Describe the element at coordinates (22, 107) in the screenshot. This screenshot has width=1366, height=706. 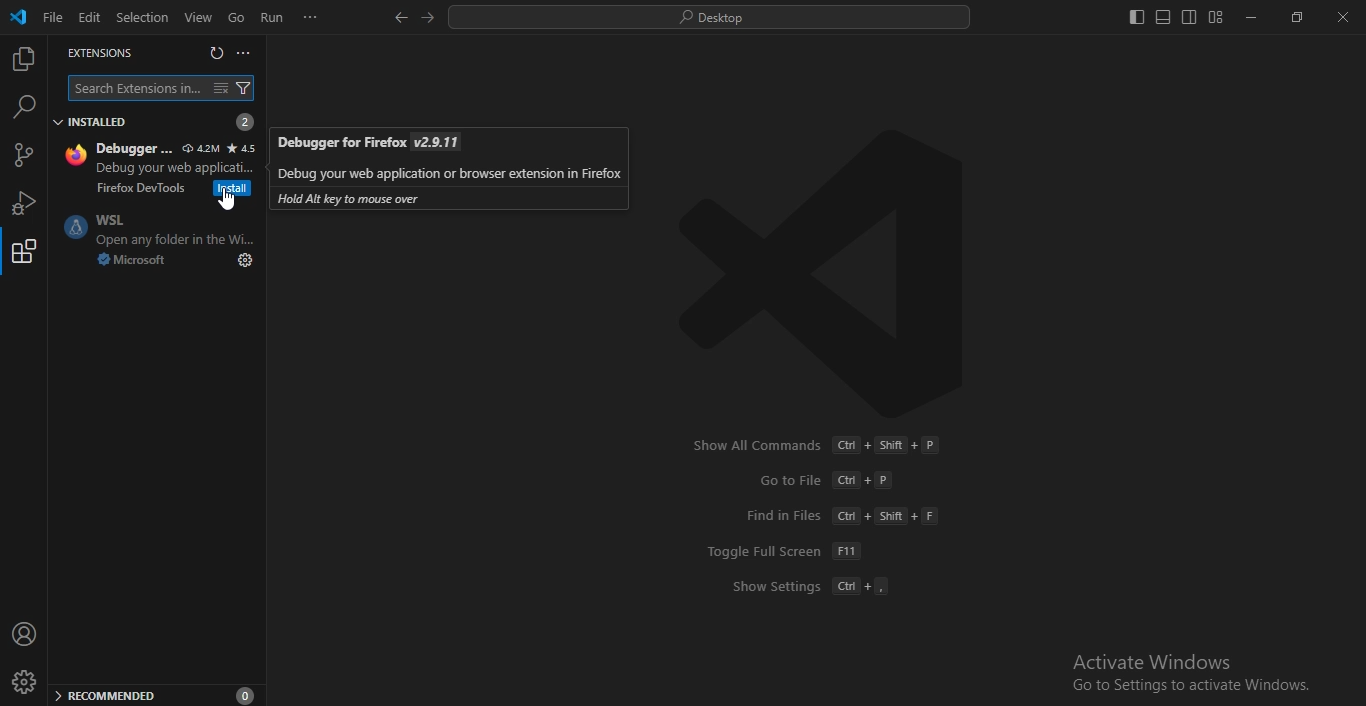
I see `search` at that location.